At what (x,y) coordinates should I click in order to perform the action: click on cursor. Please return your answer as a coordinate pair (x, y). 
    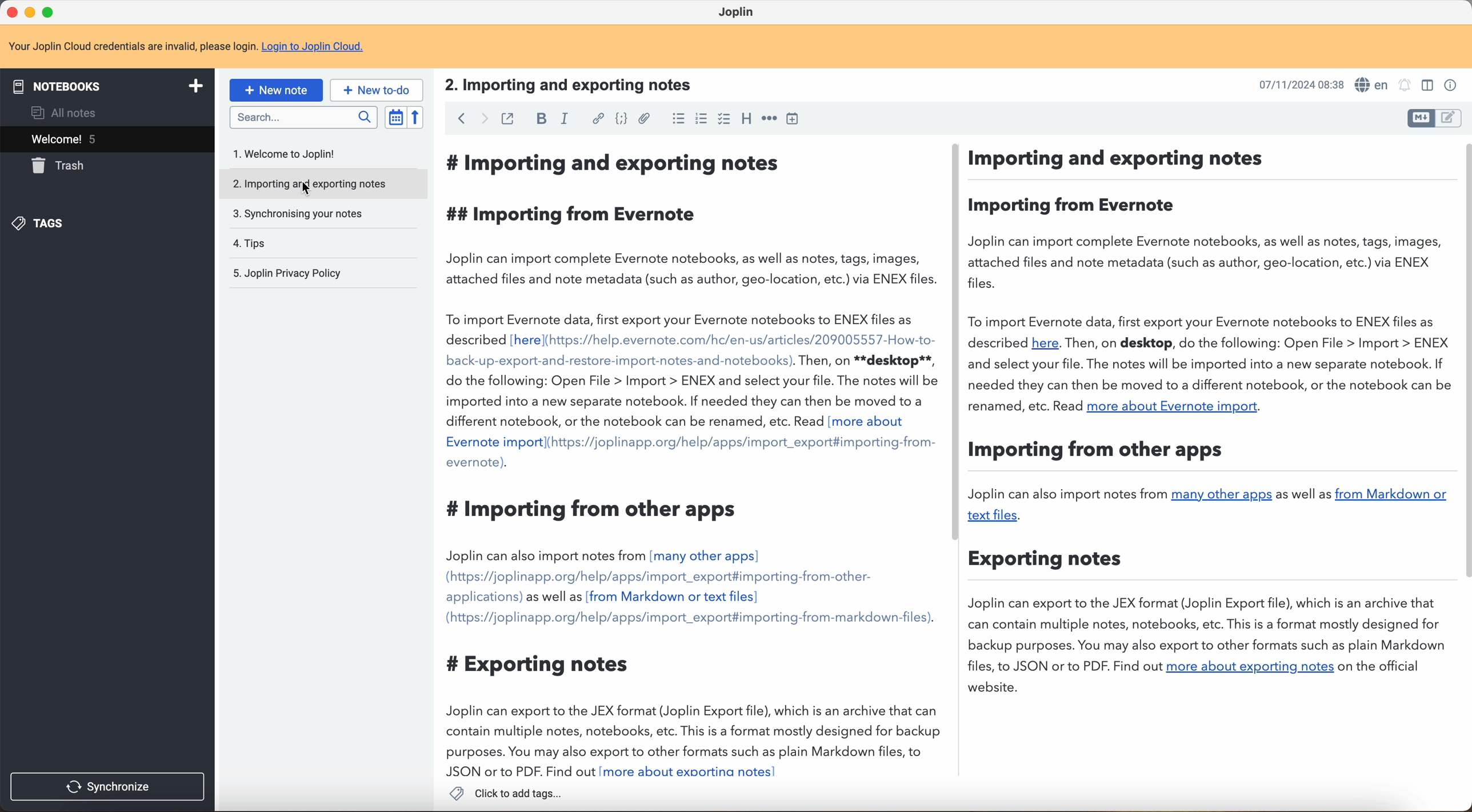
    Looking at the image, I should click on (302, 187).